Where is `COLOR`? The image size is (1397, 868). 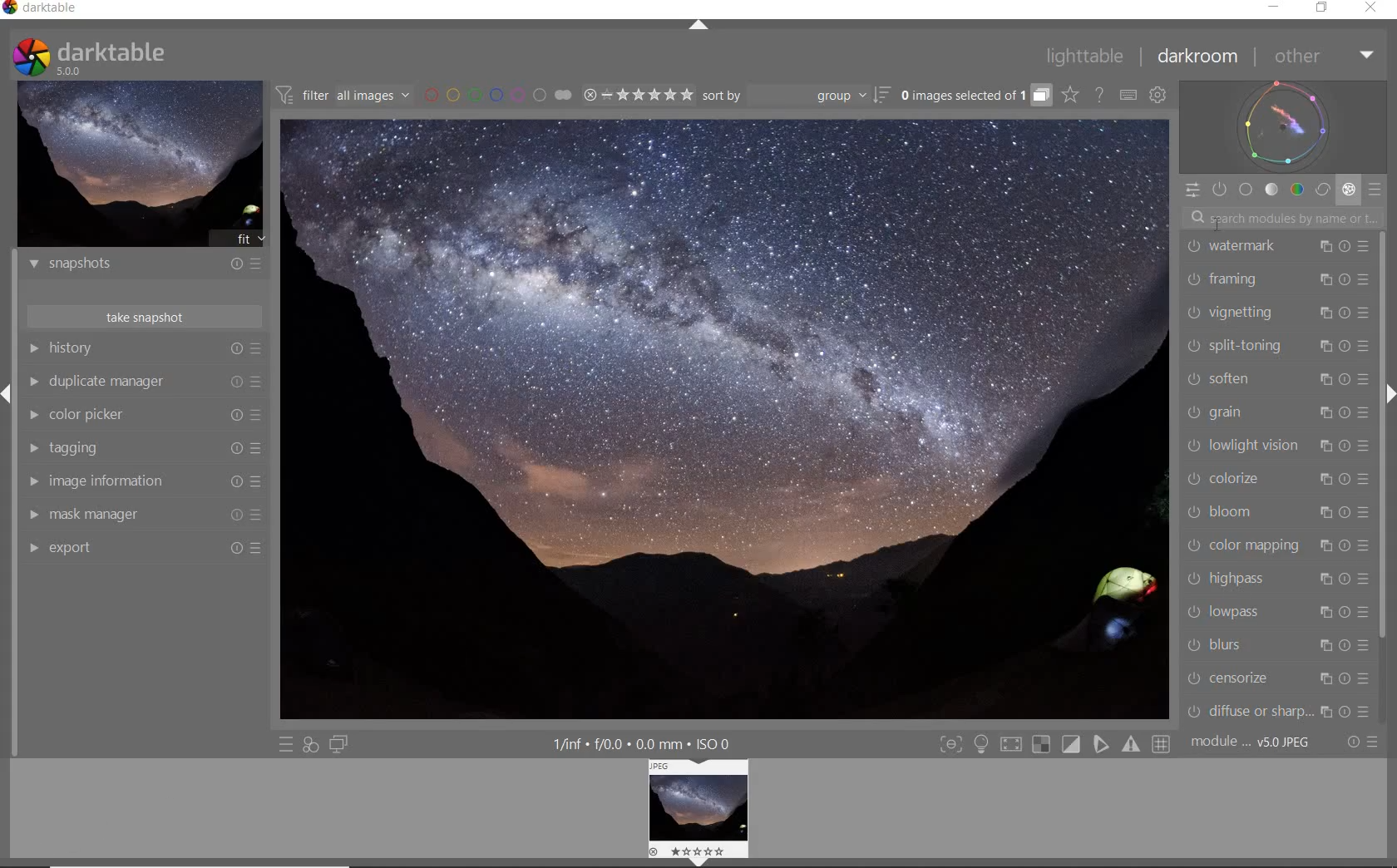 COLOR is located at coordinates (1298, 190).